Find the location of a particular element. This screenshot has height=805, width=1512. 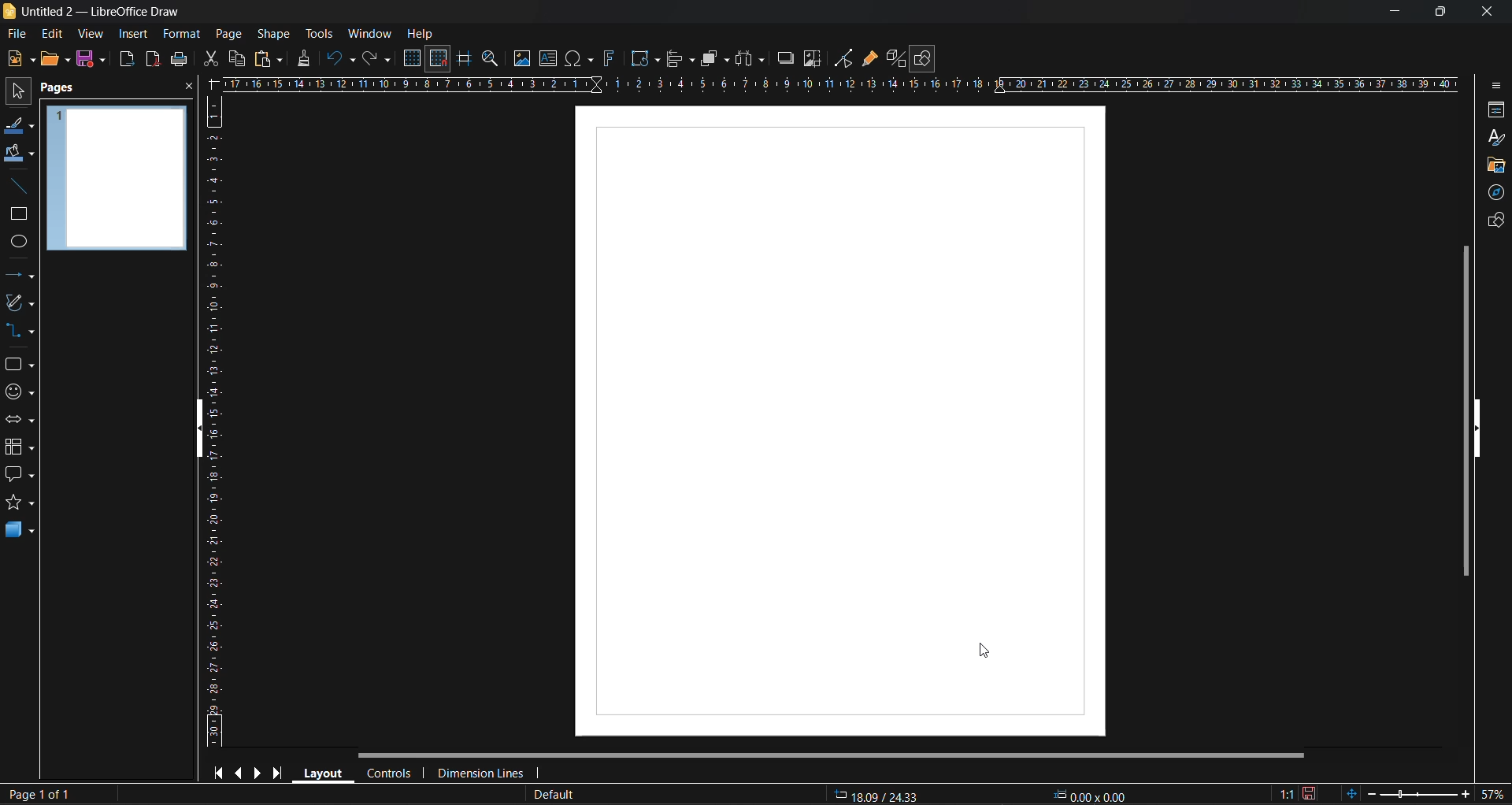

toggle extrusion is located at coordinates (898, 58).